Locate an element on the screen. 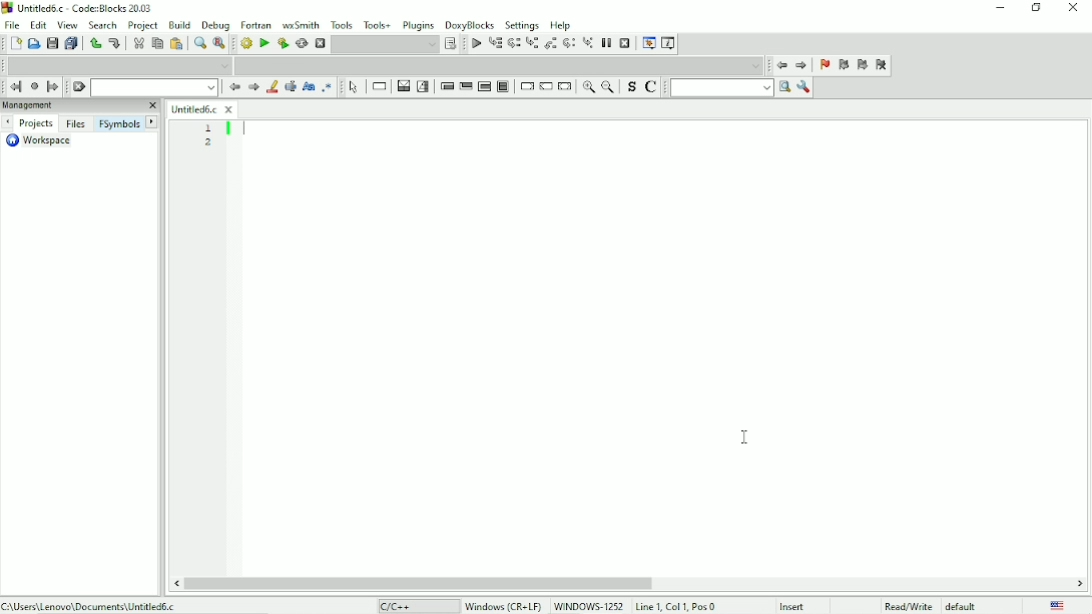 The height and width of the screenshot is (614, 1092). Next instruction is located at coordinates (570, 44).